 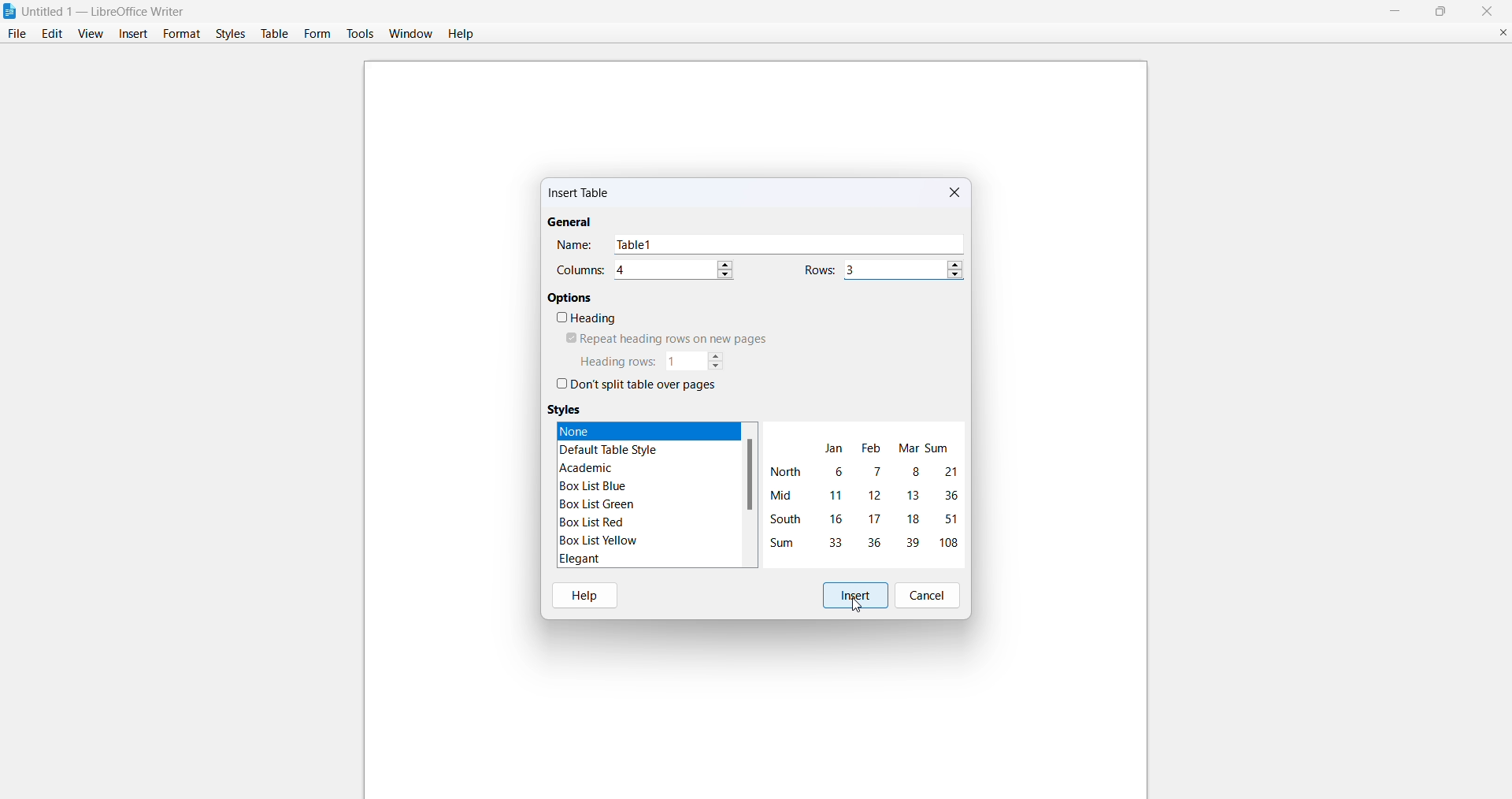 What do you see at coordinates (571, 297) in the screenshot?
I see `options` at bounding box center [571, 297].